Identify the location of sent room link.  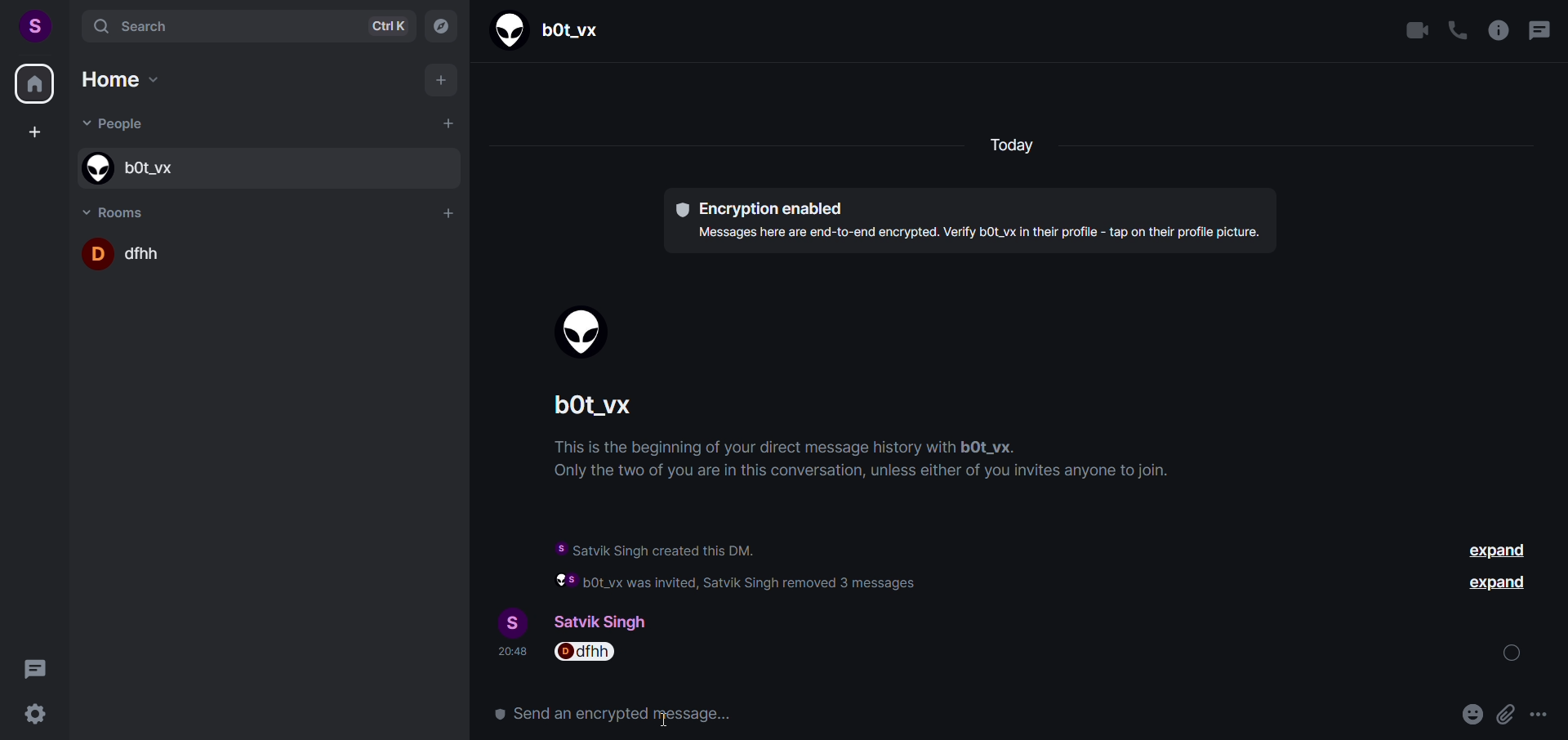
(585, 655).